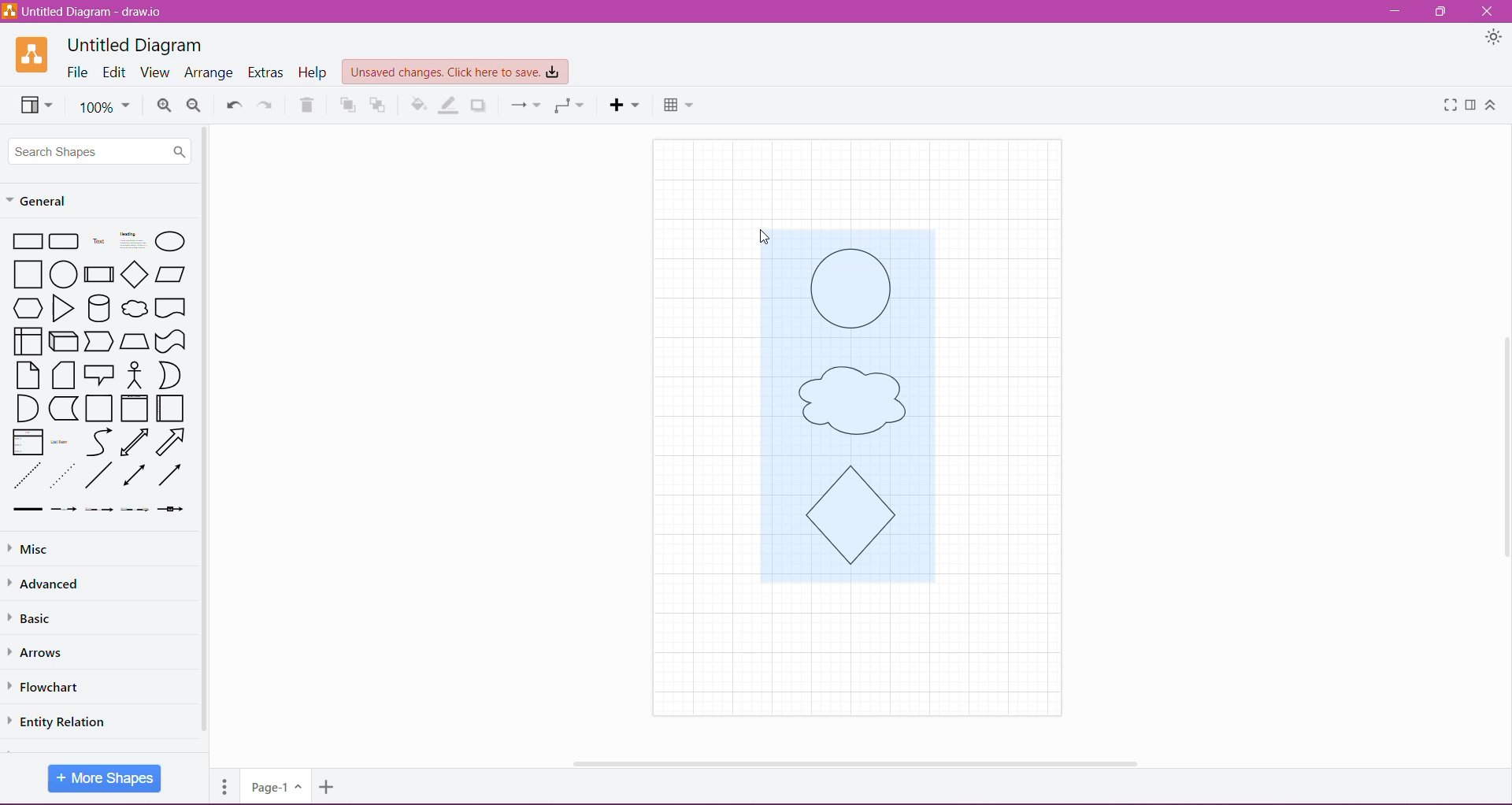 The height and width of the screenshot is (805, 1512). I want to click on Edit, so click(115, 73).